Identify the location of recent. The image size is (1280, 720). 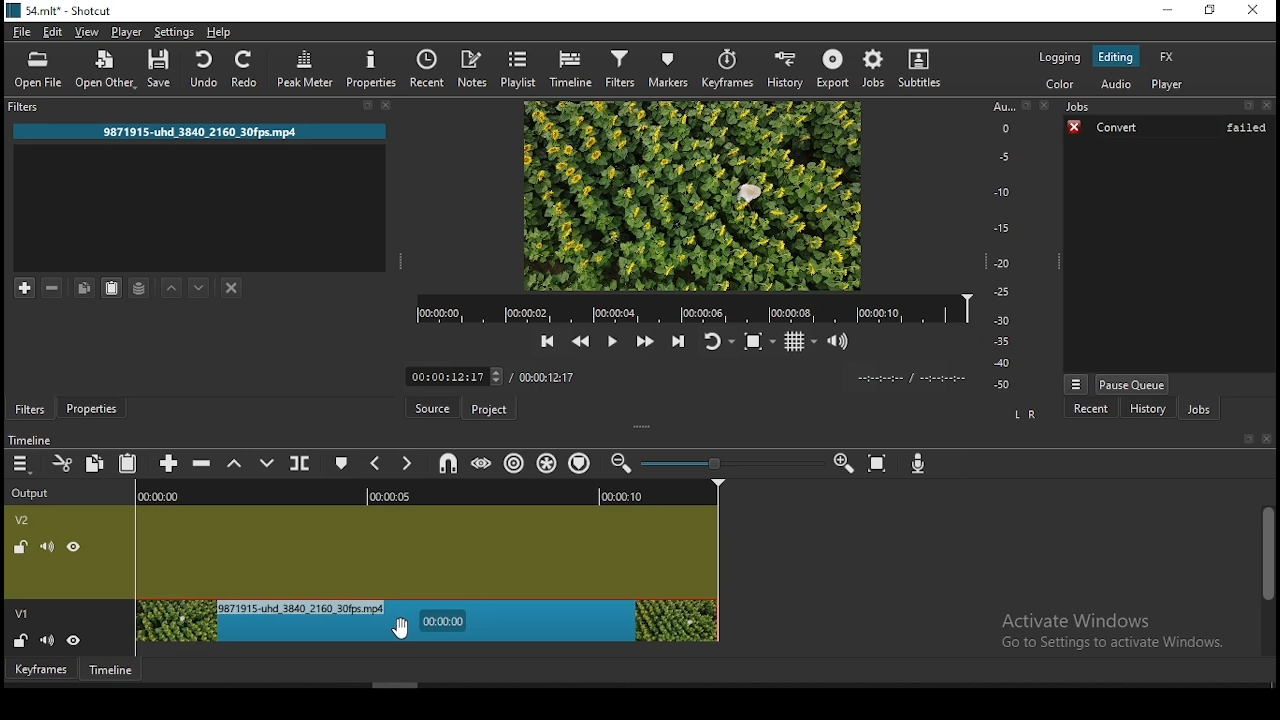
(430, 69).